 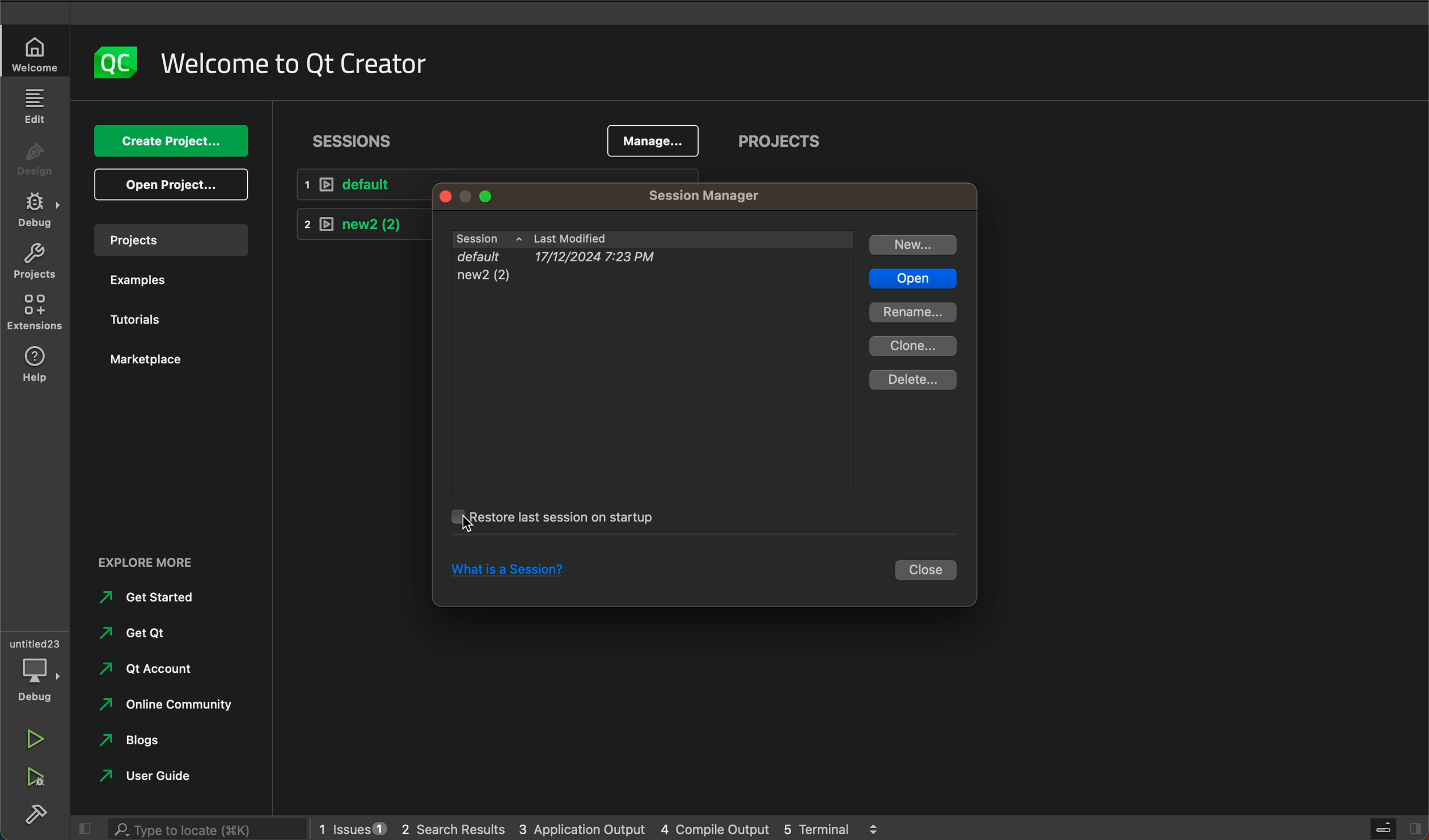 I want to click on logs, so click(x=615, y=829).